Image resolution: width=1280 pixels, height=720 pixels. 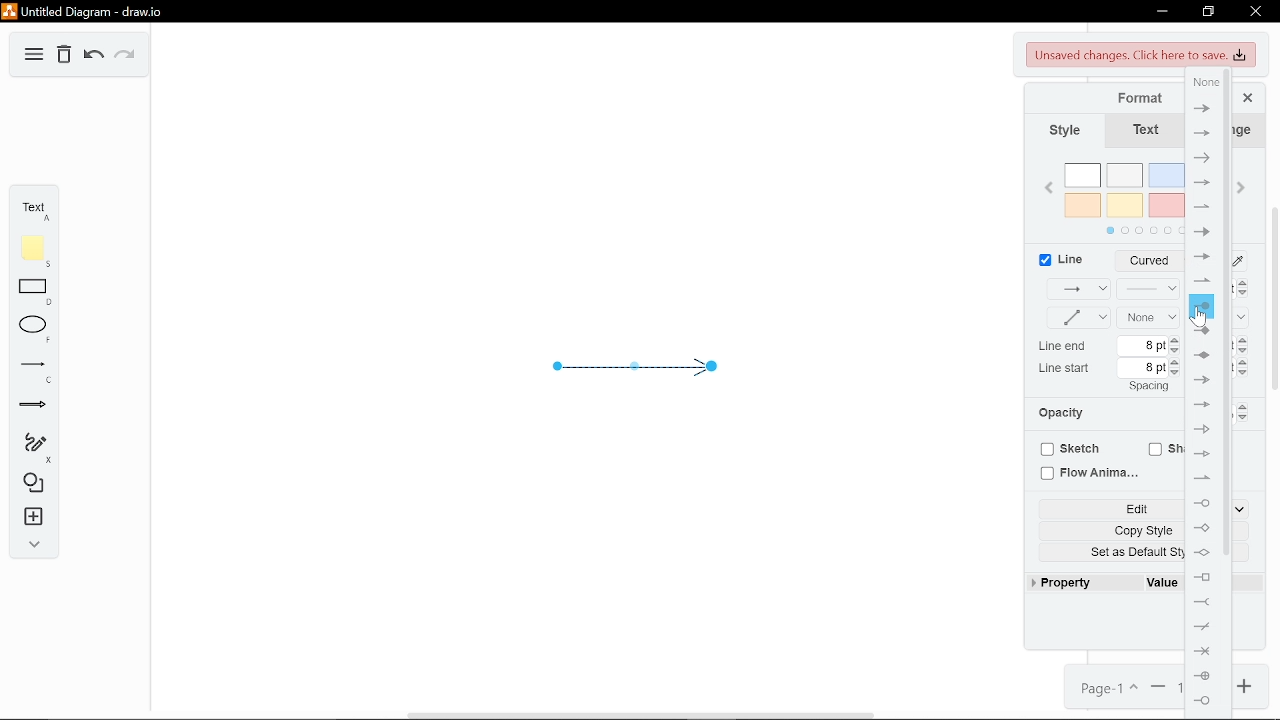 I want to click on Decrease line start size, so click(x=1246, y=372).